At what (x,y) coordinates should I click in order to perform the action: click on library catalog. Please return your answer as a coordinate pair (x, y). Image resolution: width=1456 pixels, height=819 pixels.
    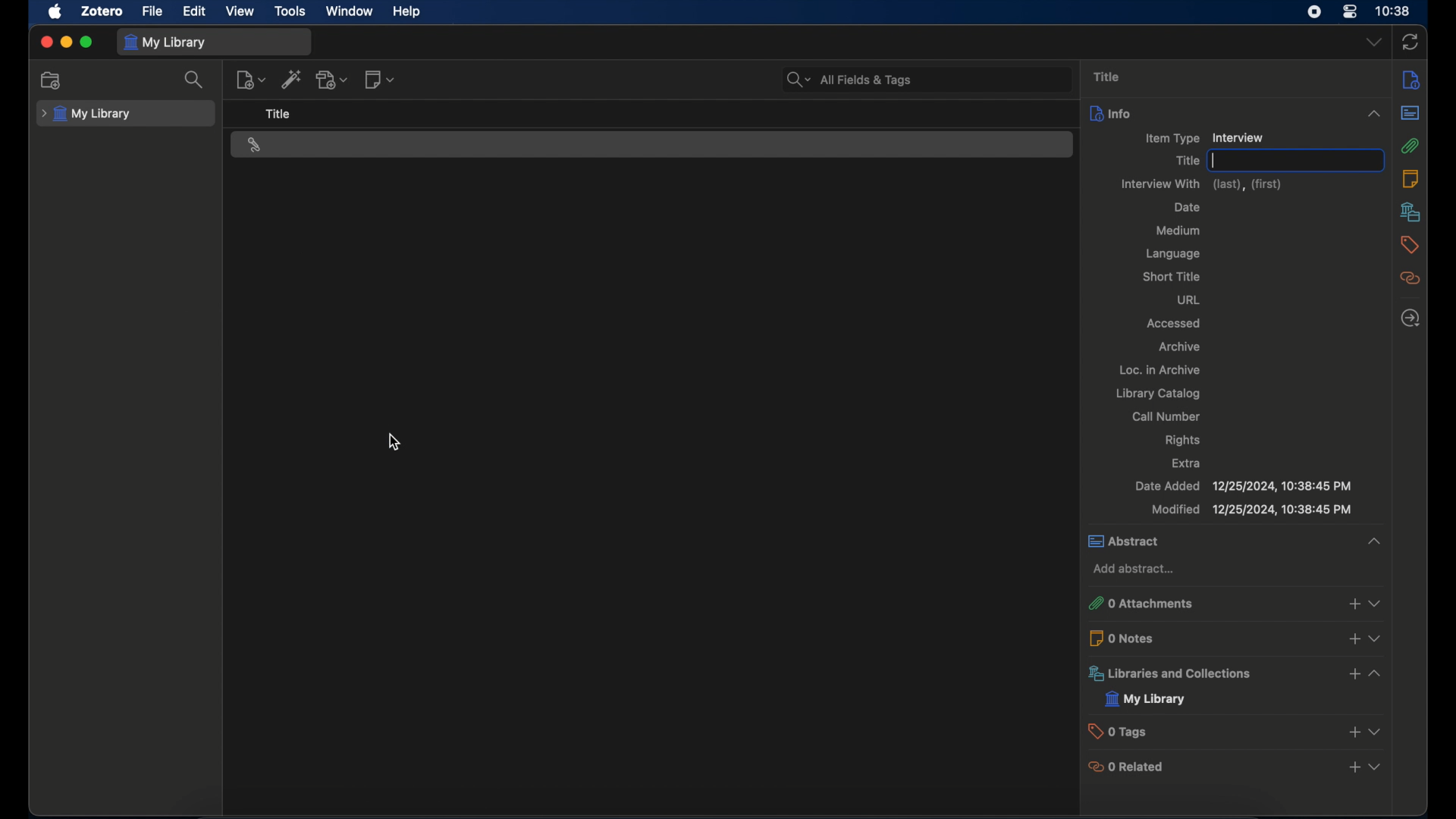
    Looking at the image, I should click on (1160, 394).